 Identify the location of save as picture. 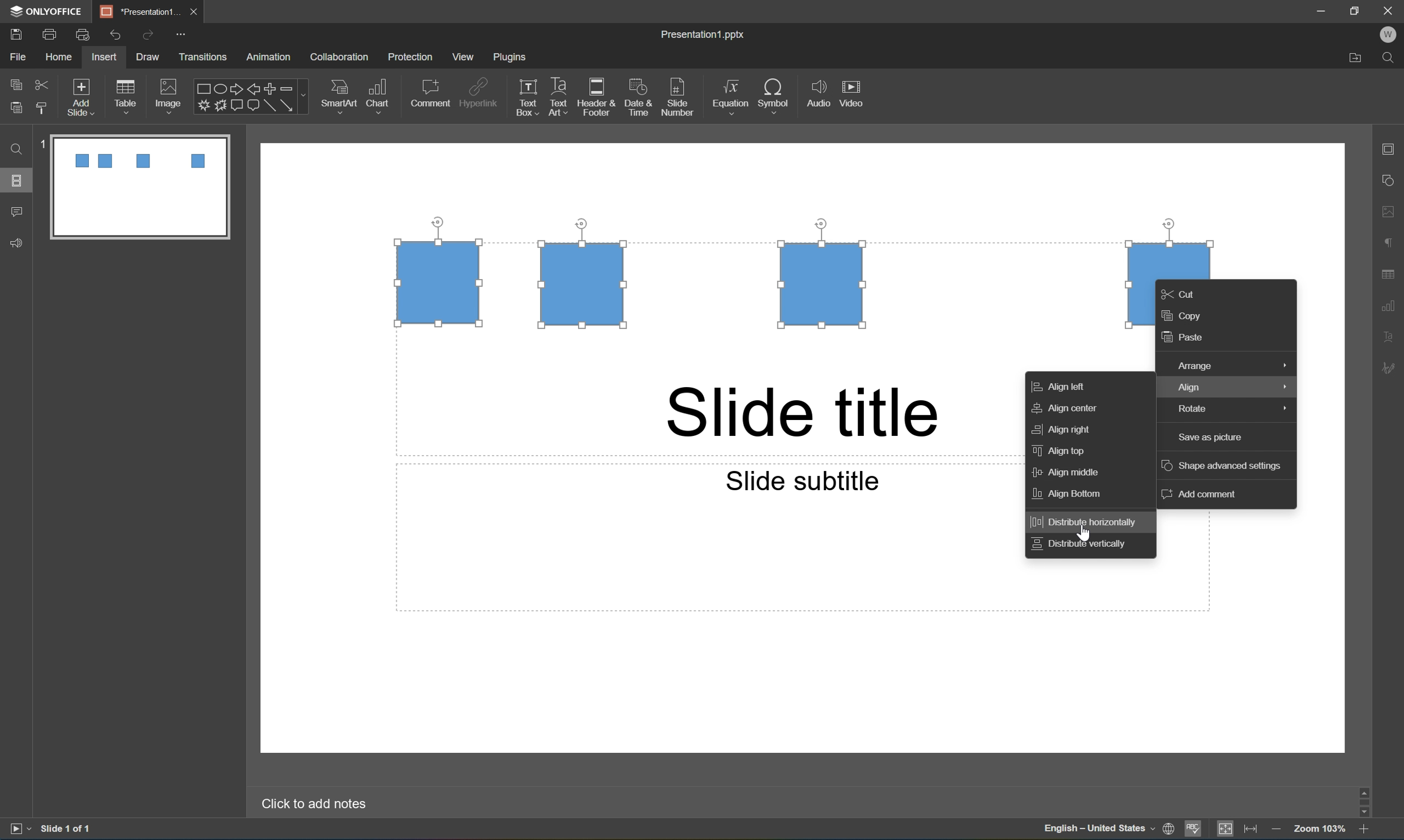
(1209, 437).